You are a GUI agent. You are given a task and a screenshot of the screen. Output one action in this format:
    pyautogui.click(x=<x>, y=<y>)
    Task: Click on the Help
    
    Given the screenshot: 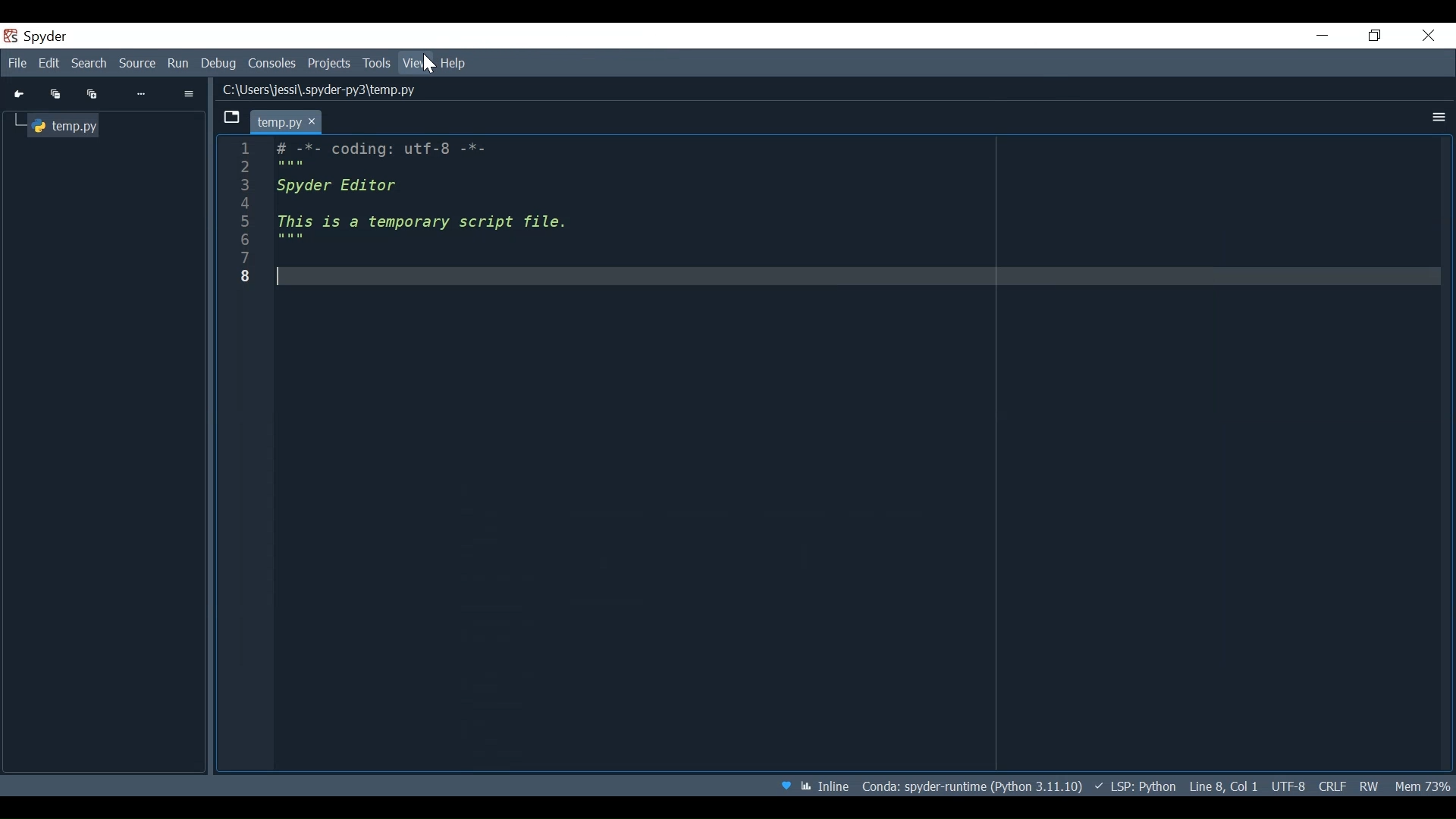 What is the action you would take?
    pyautogui.click(x=457, y=63)
    